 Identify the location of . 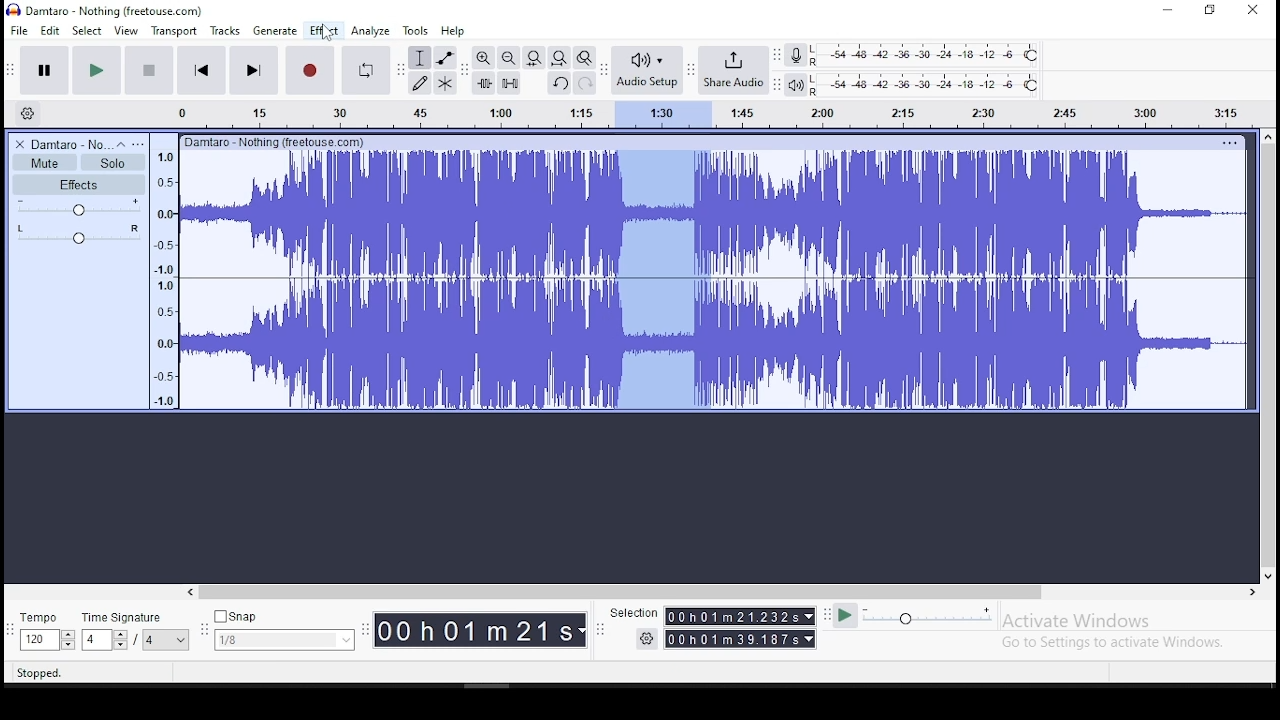
(366, 628).